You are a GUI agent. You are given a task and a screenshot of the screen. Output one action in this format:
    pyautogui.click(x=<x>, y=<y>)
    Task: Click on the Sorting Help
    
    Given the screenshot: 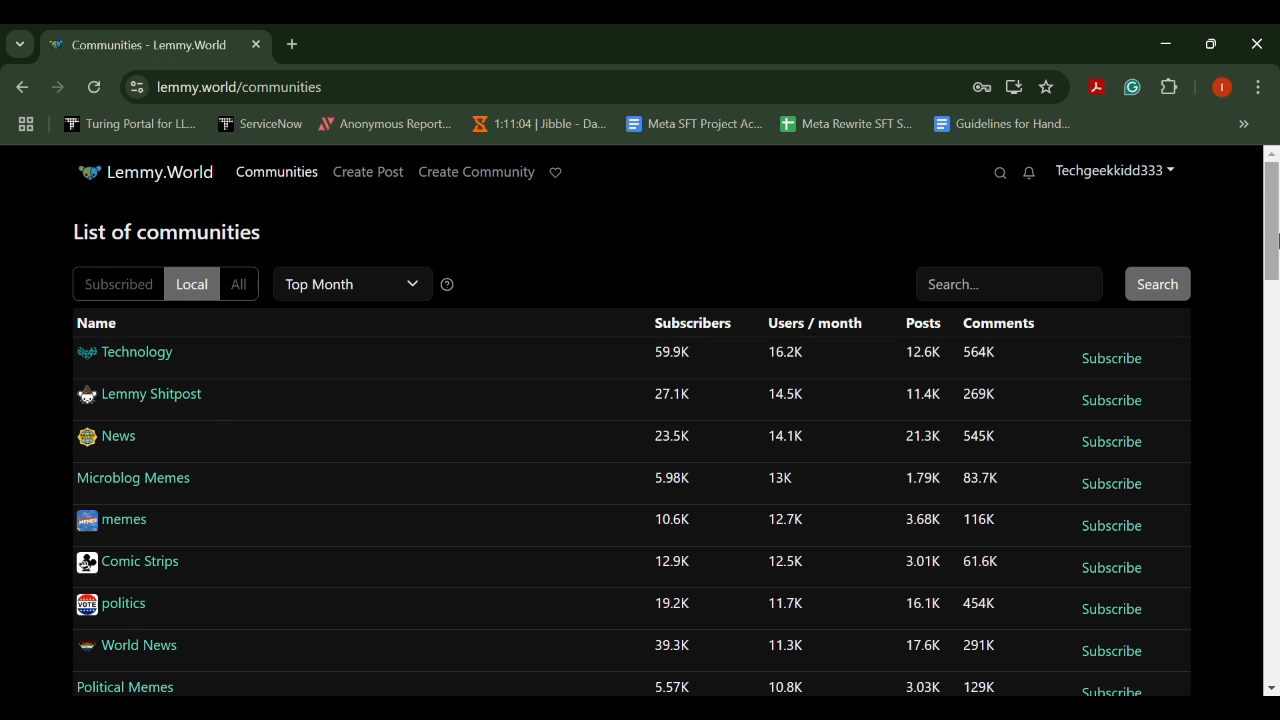 What is the action you would take?
    pyautogui.click(x=448, y=284)
    